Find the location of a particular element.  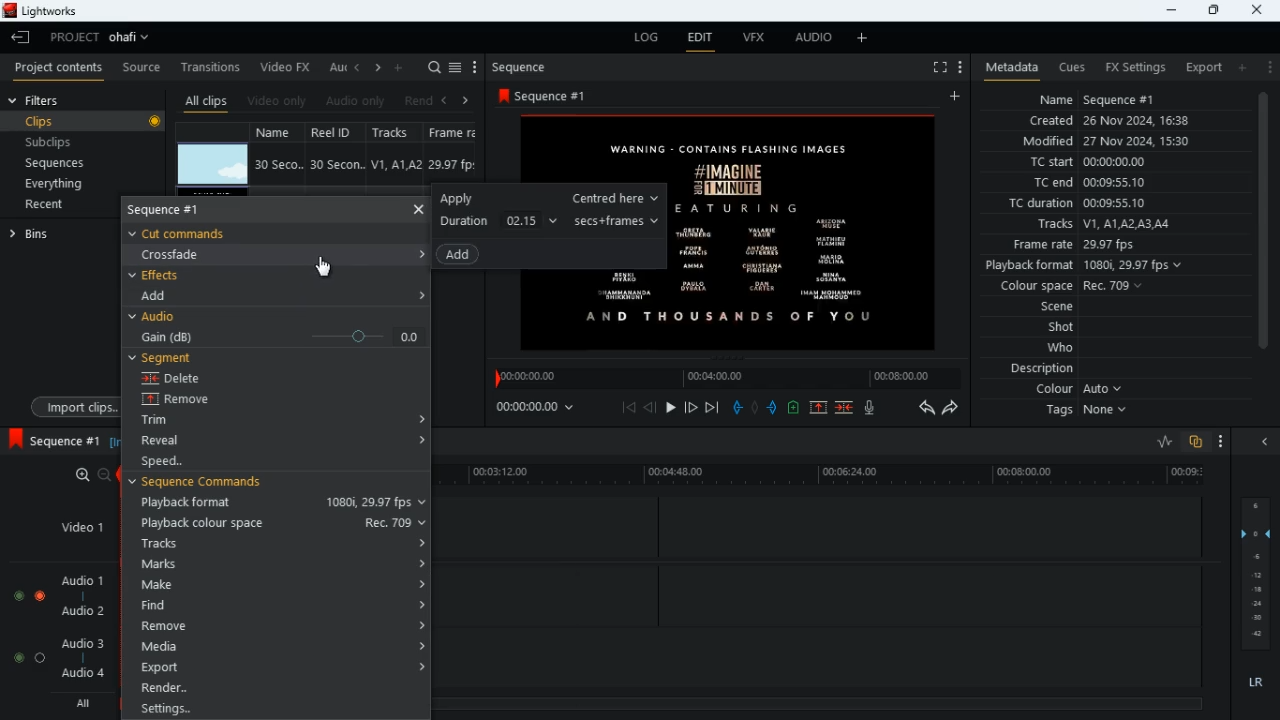

layers is located at coordinates (1259, 573).